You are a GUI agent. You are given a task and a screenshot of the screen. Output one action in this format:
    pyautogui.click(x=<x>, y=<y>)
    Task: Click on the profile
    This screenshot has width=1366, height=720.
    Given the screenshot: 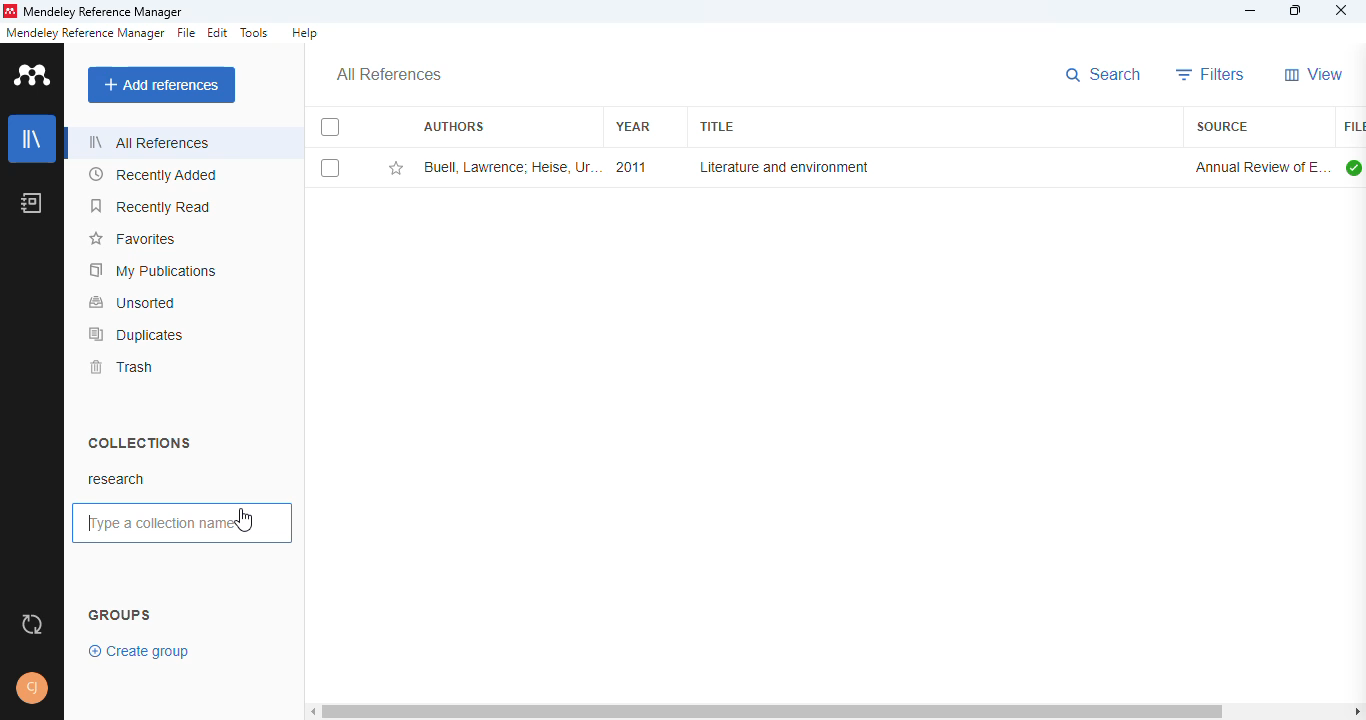 What is the action you would take?
    pyautogui.click(x=32, y=688)
    